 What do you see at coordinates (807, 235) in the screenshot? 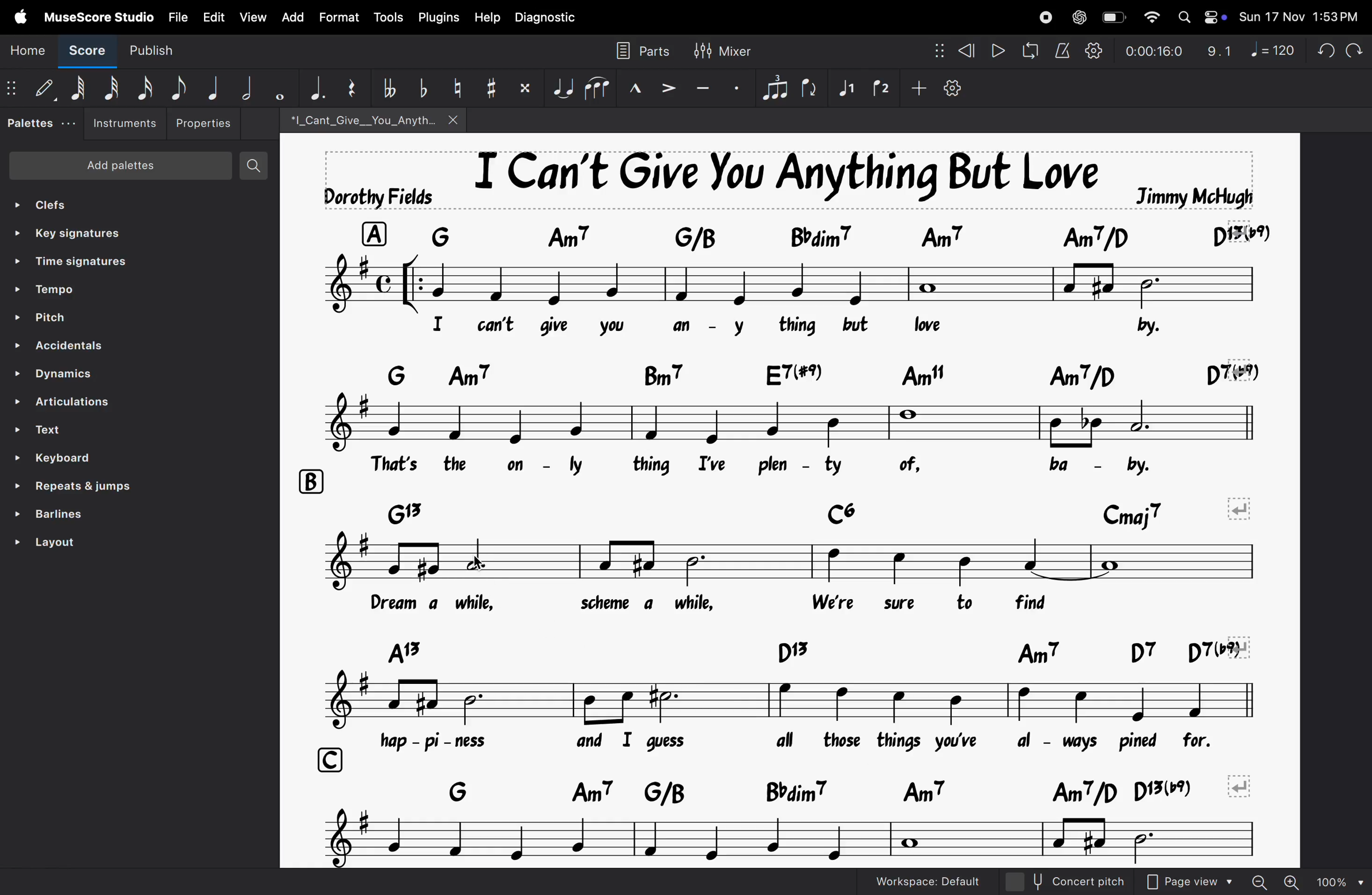
I see `keyboard asiggned notes` at bounding box center [807, 235].